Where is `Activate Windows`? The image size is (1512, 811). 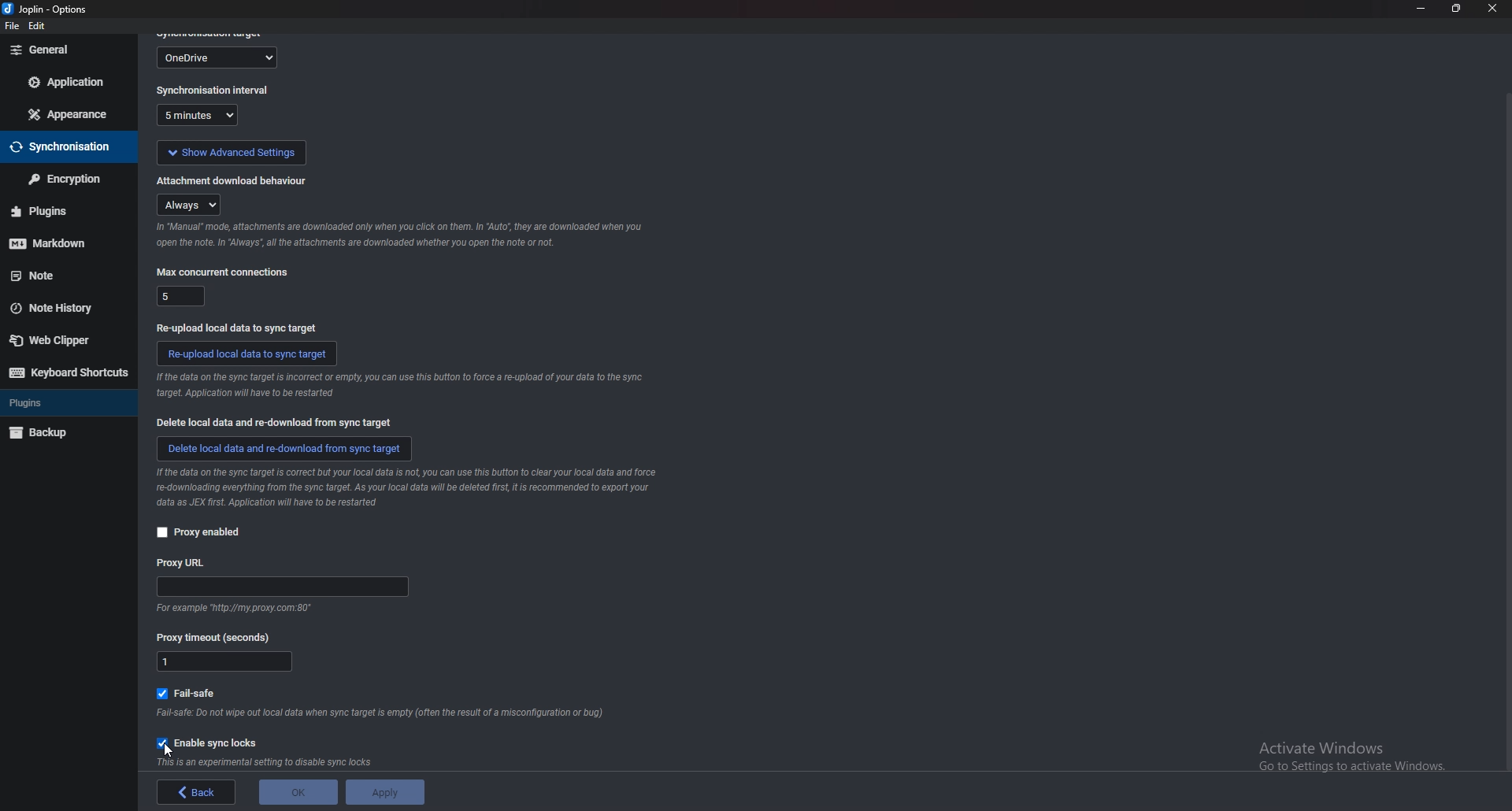
Activate Windows is located at coordinates (1345, 752).